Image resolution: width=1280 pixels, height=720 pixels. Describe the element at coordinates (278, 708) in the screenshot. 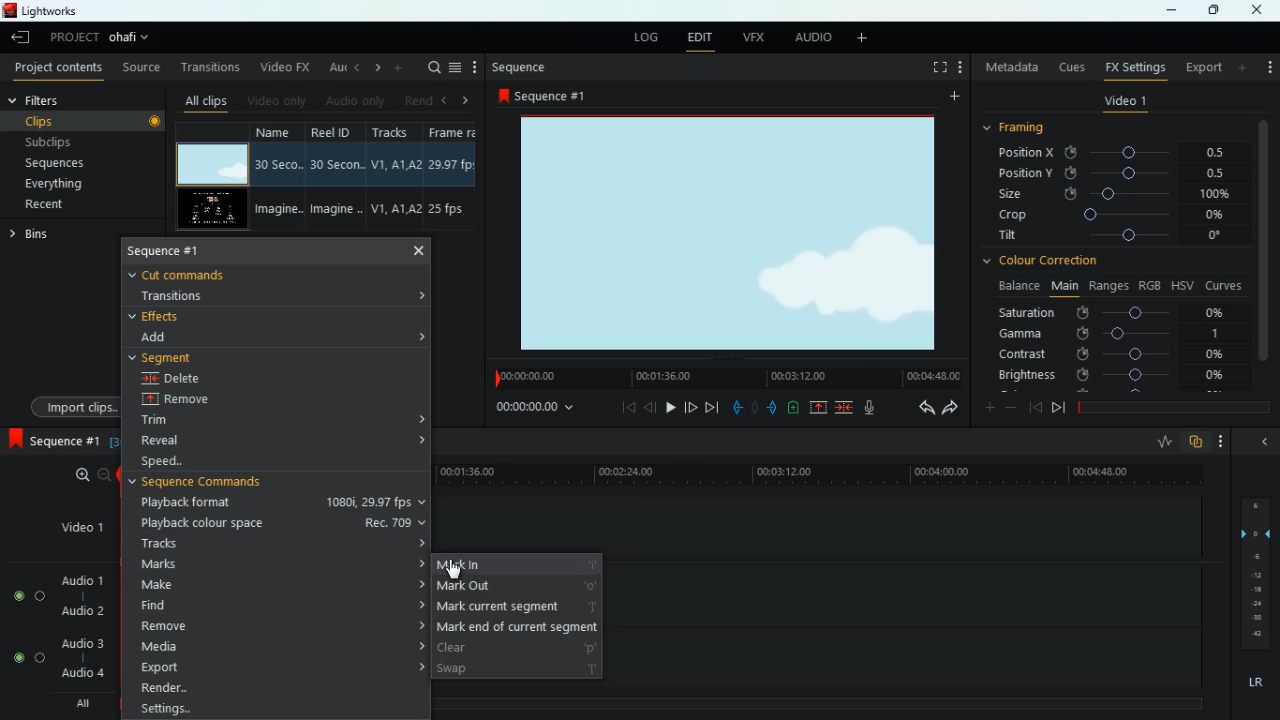

I see `settings` at that location.